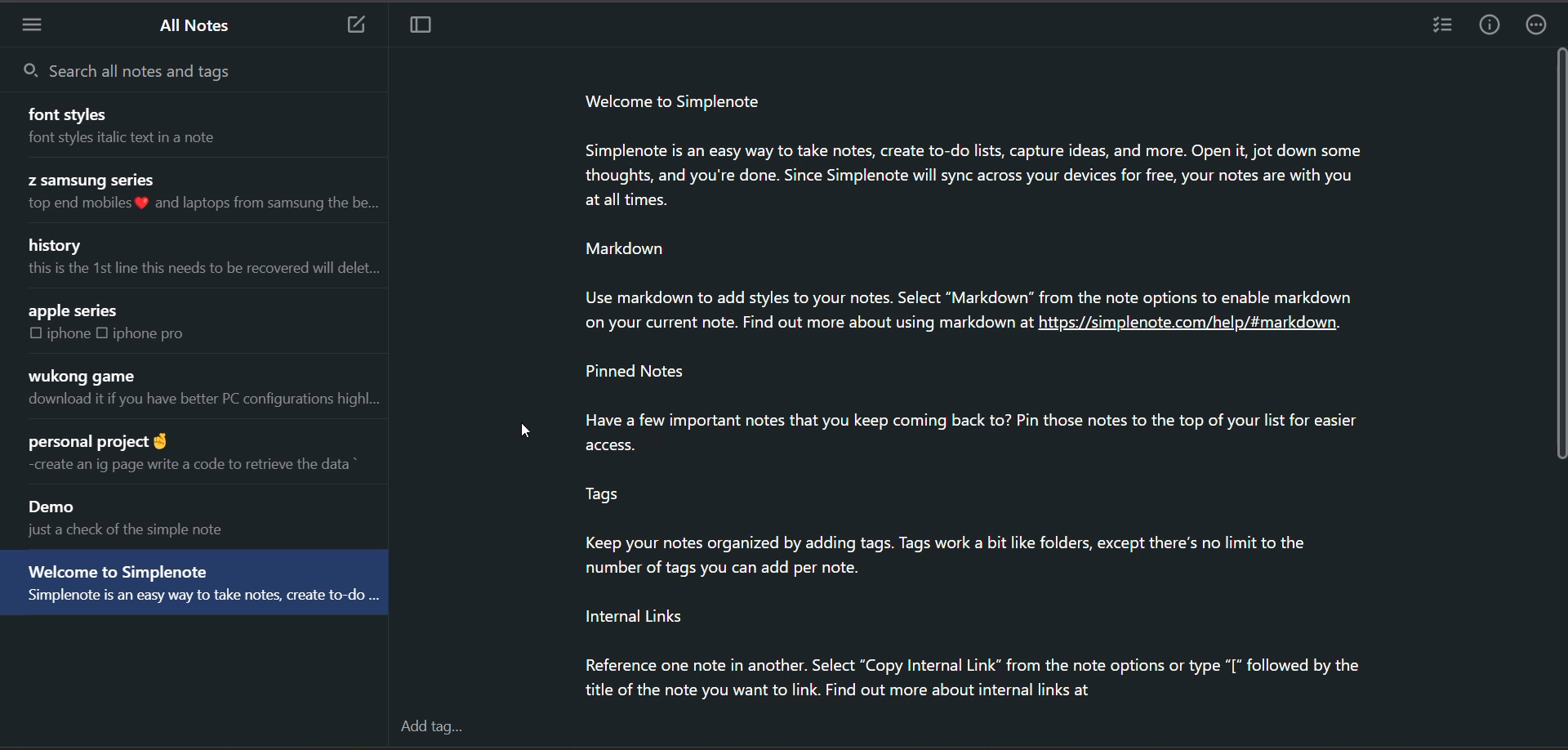 This screenshot has height=750, width=1568. Describe the element at coordinates (200, 406) in the screenshot. I see `download it if you have better PC configurations highl...` at that location.